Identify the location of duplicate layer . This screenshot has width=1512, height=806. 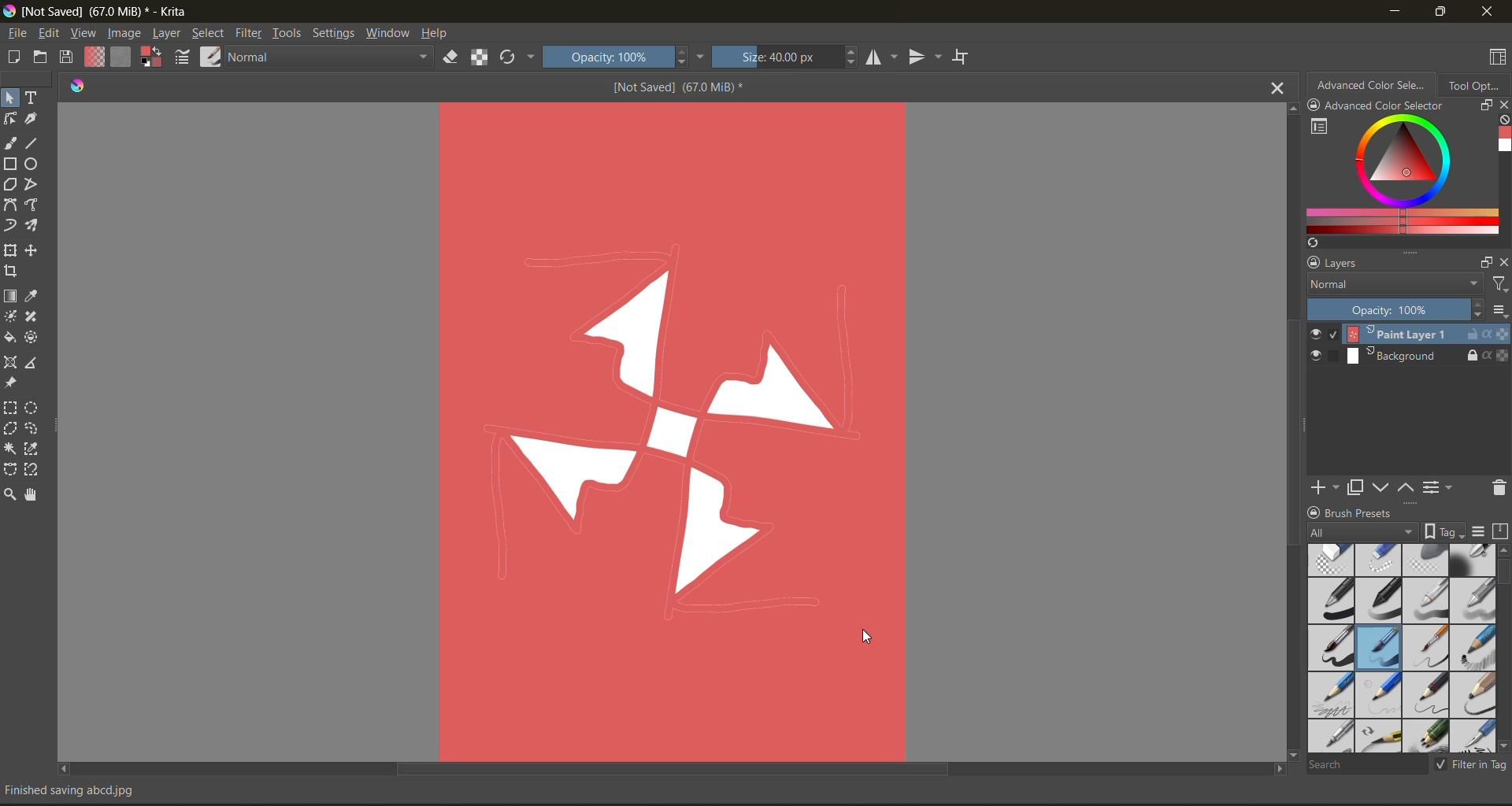
(1363, 490).